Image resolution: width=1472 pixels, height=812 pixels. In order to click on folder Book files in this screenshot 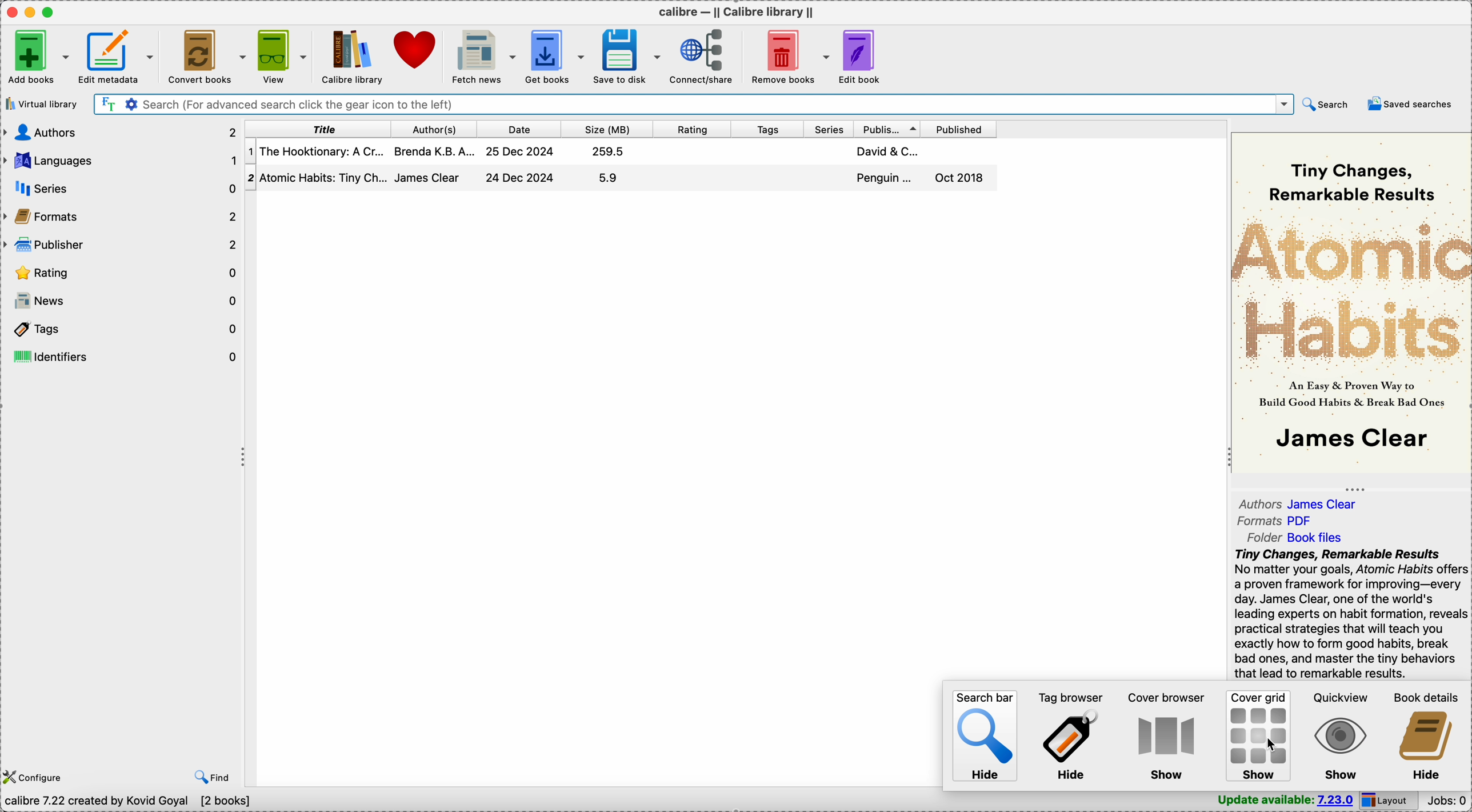, I will do `click(1295, 537)`.